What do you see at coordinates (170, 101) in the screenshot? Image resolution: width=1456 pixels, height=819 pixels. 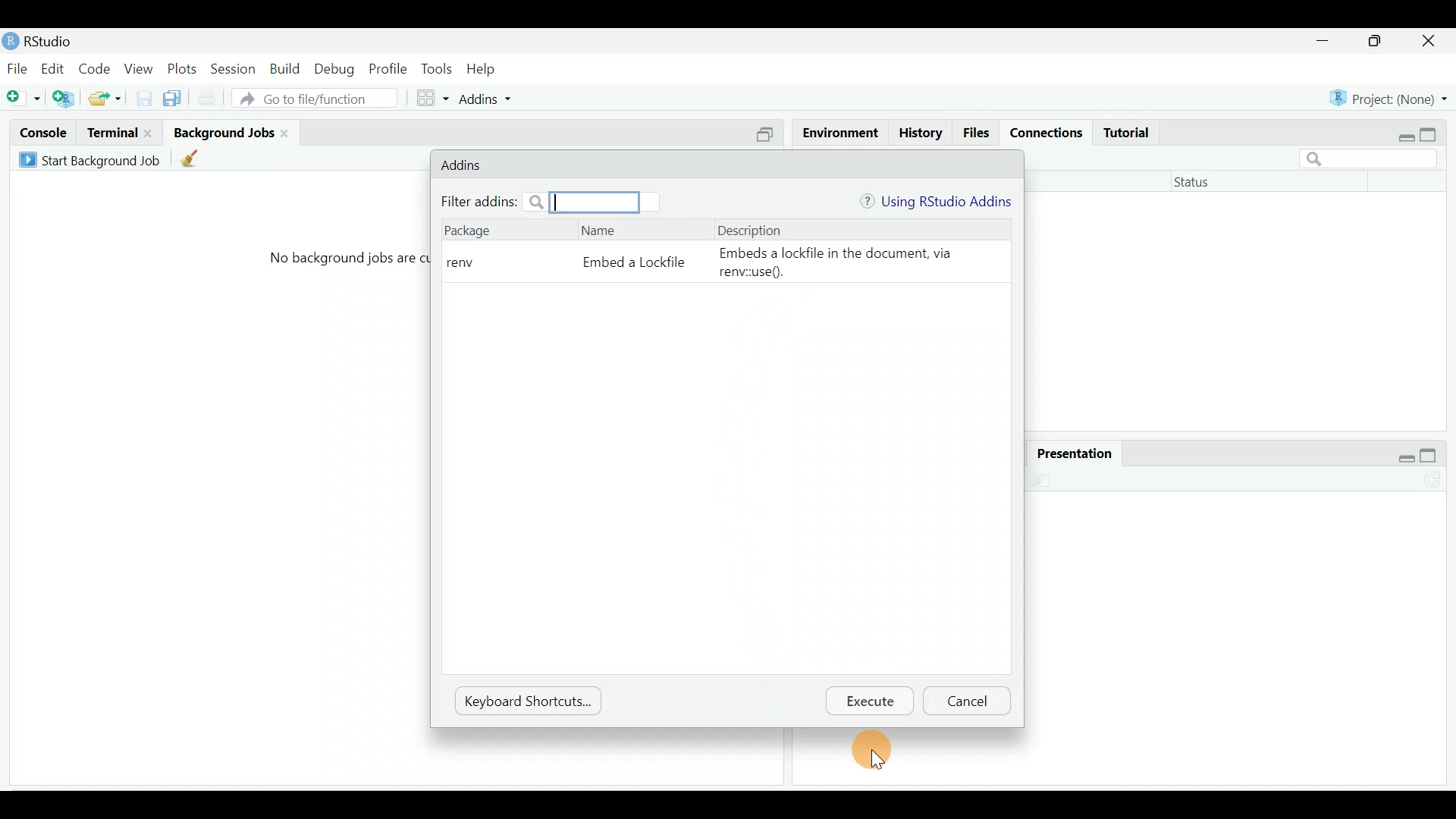 I see `Save all open documents` at bounding box center [170, 101].